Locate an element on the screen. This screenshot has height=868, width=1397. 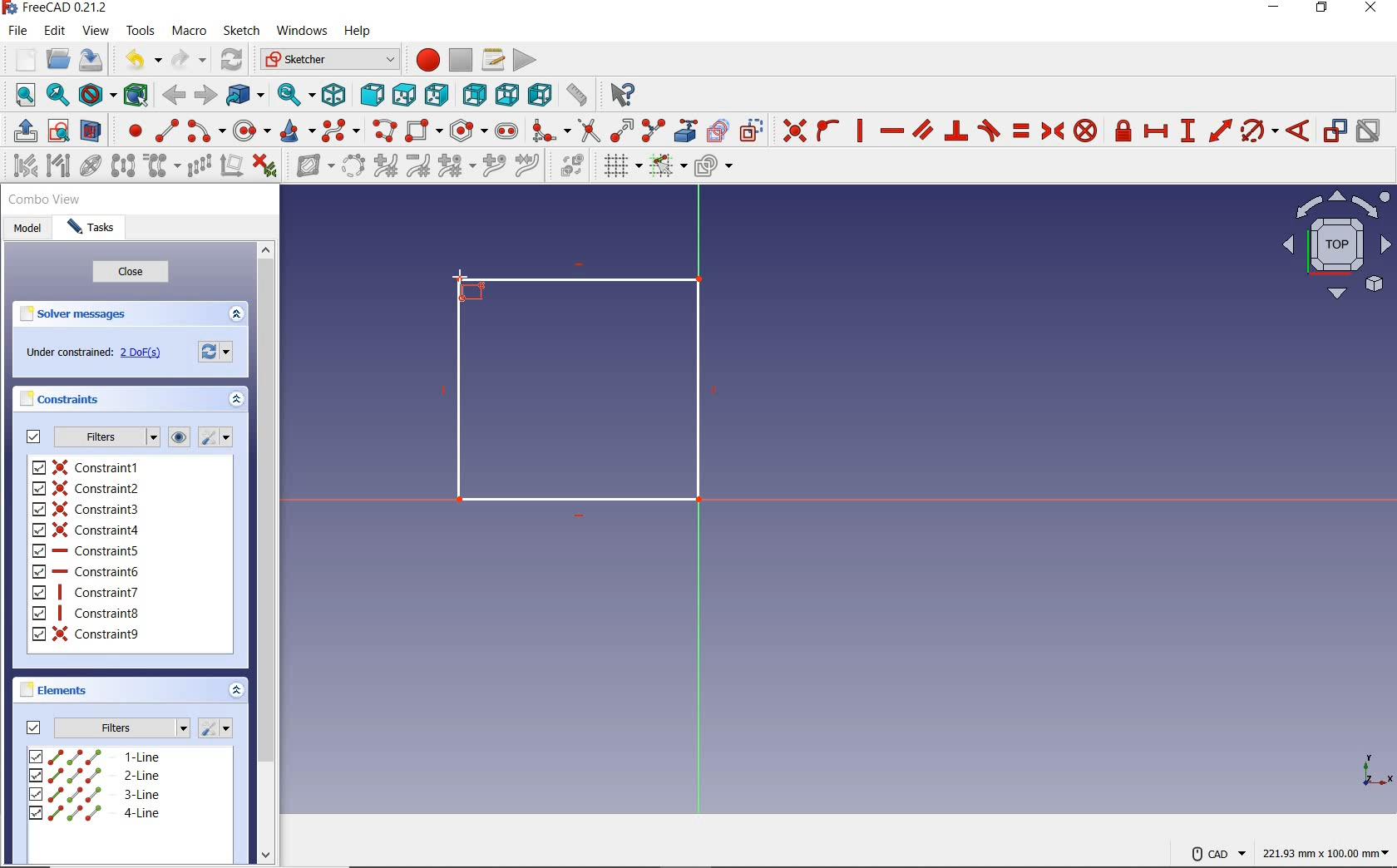
create conic is located at coordinates (297, 132).